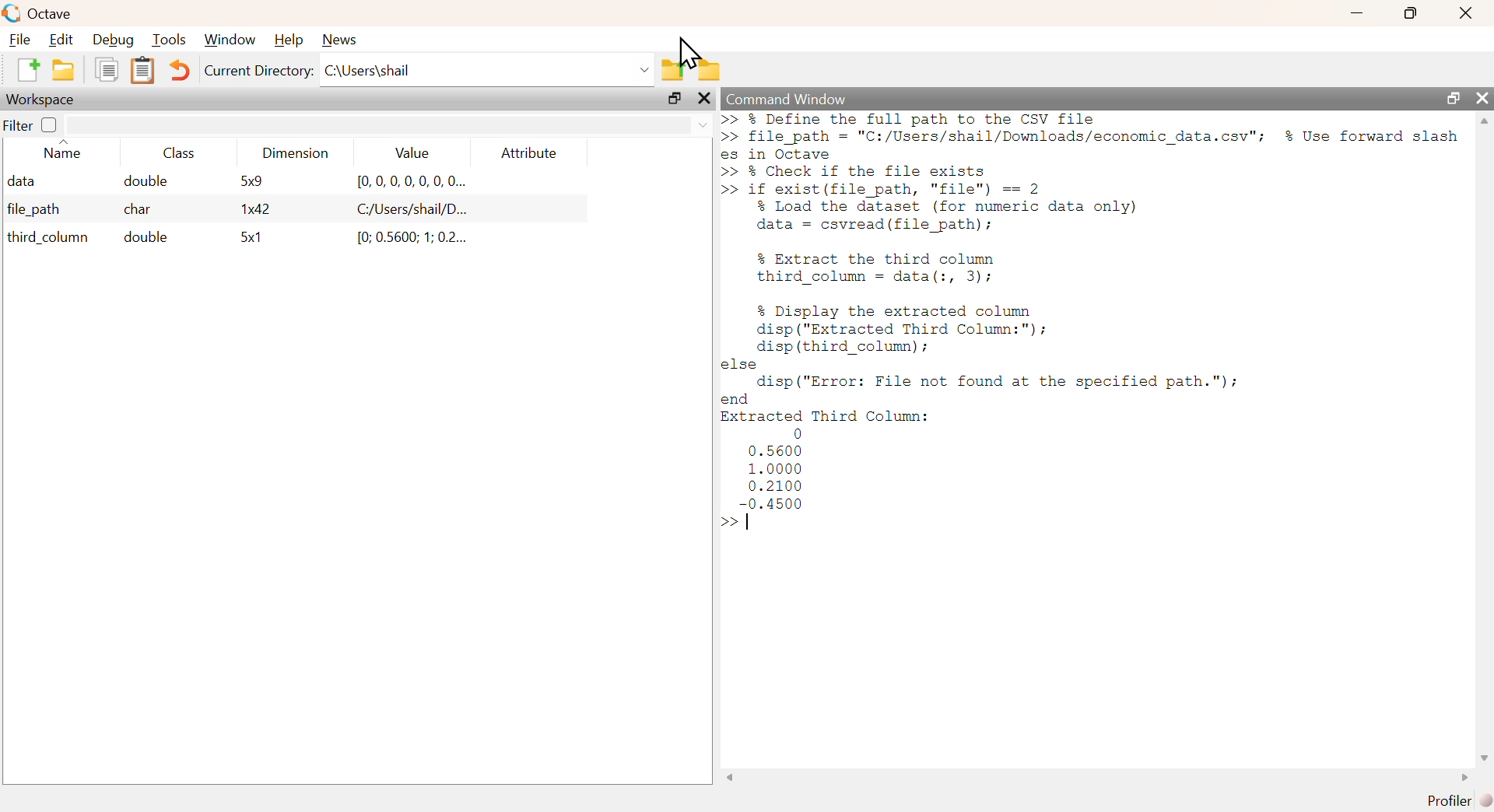 The height and width of the screenshot is (812, 1494). Describe the element at coordinates (675, 99) in the screenshot. I see `restore` at that location.